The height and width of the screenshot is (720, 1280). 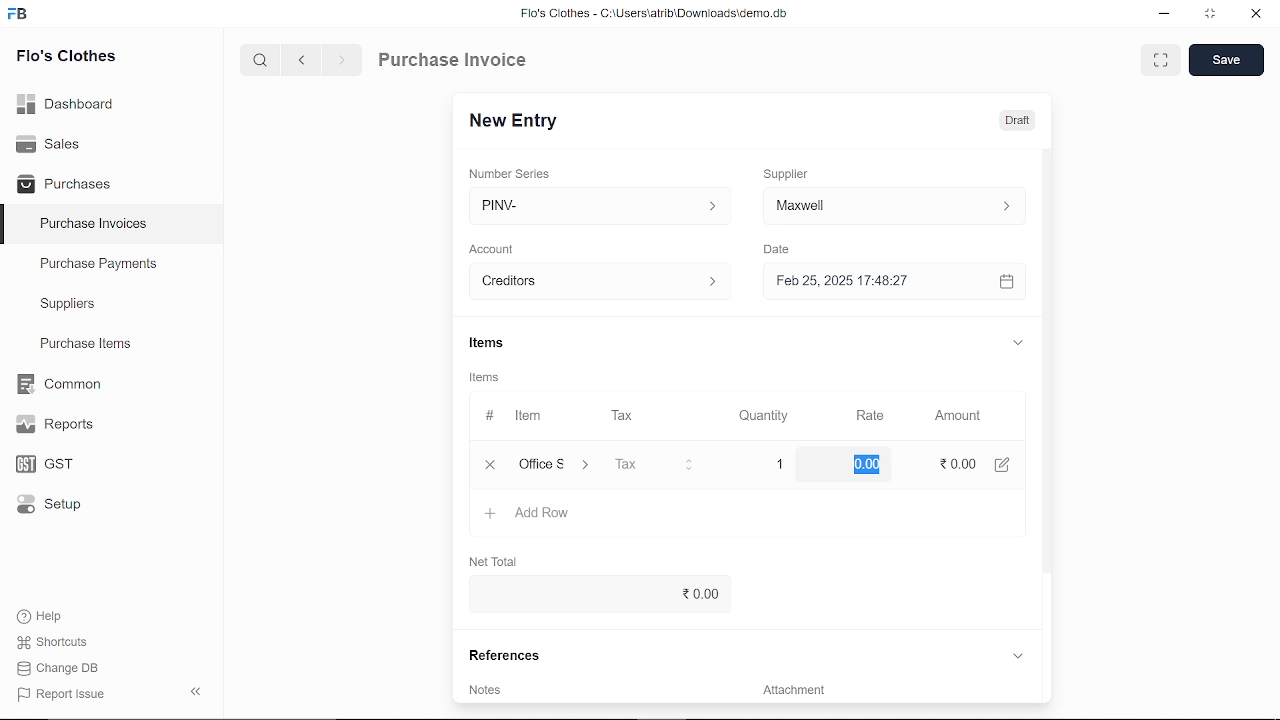 What do you see at coordinates (68, 304) in the screenshot?
I see `Suppliers` at bounding box center [68, 304].